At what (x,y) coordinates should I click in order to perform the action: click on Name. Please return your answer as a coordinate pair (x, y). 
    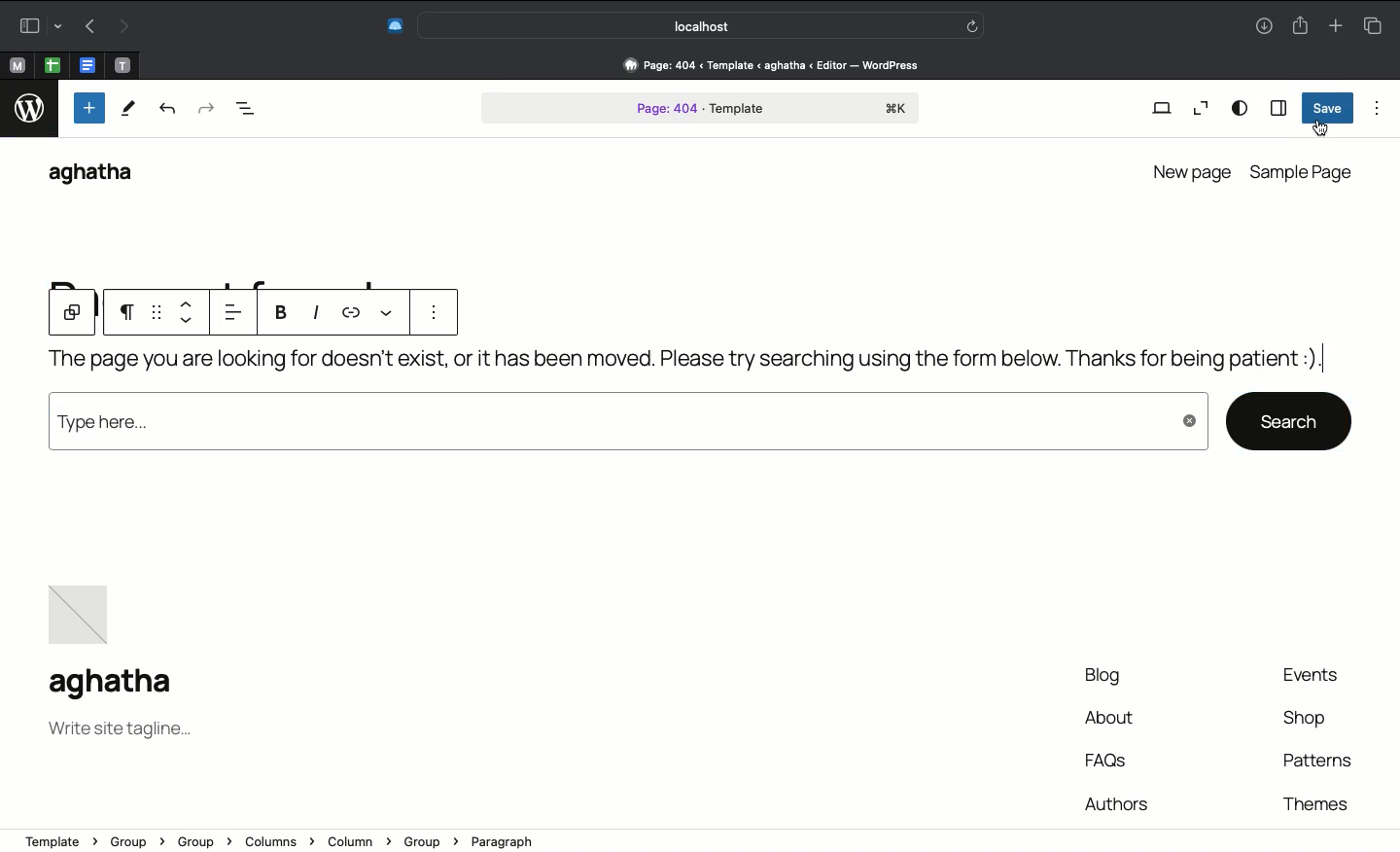
    Looking at the image, I should click on (118, 685).